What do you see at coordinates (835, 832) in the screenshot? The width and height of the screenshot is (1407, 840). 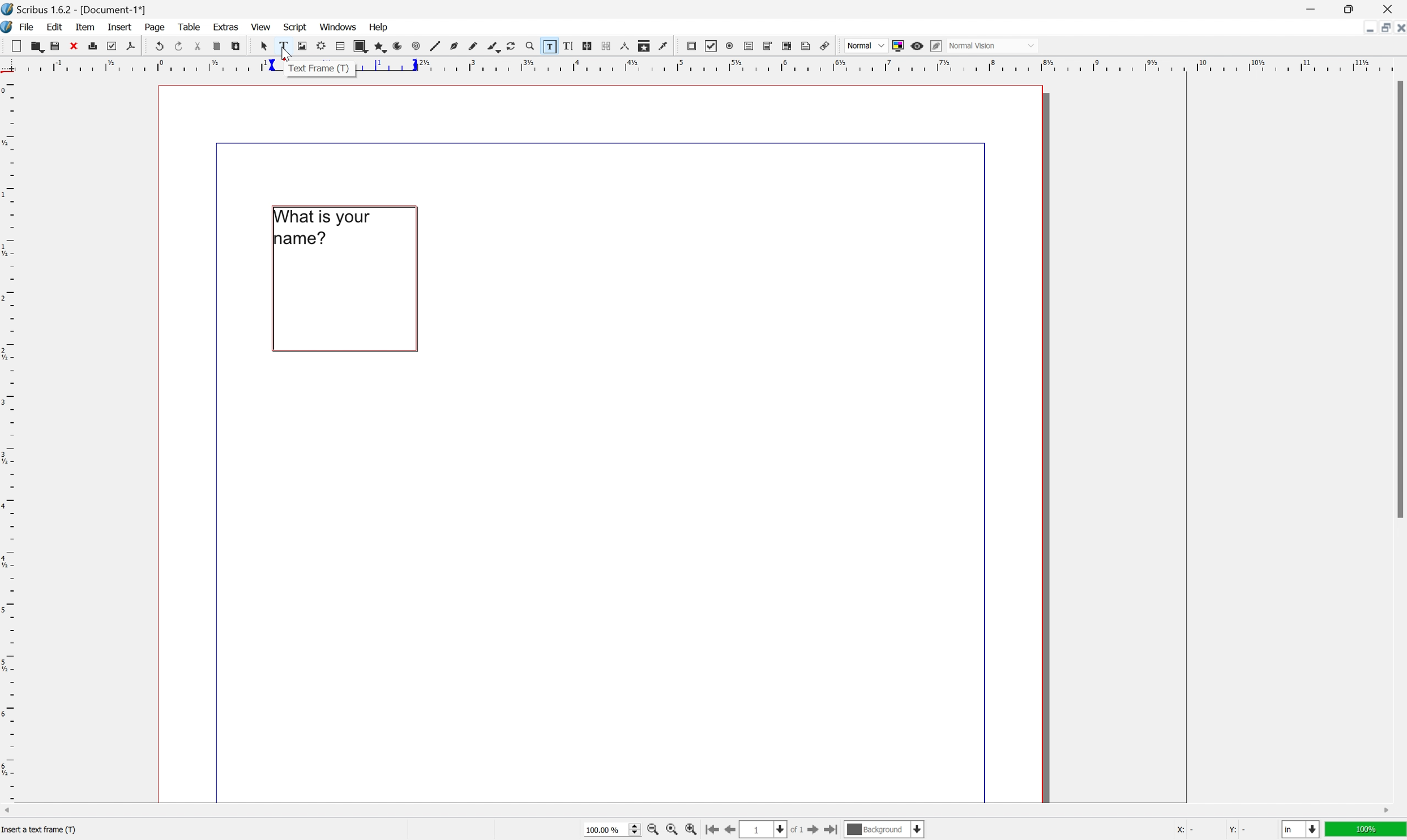 I see `go to last page` at bounding box center [835, 832].